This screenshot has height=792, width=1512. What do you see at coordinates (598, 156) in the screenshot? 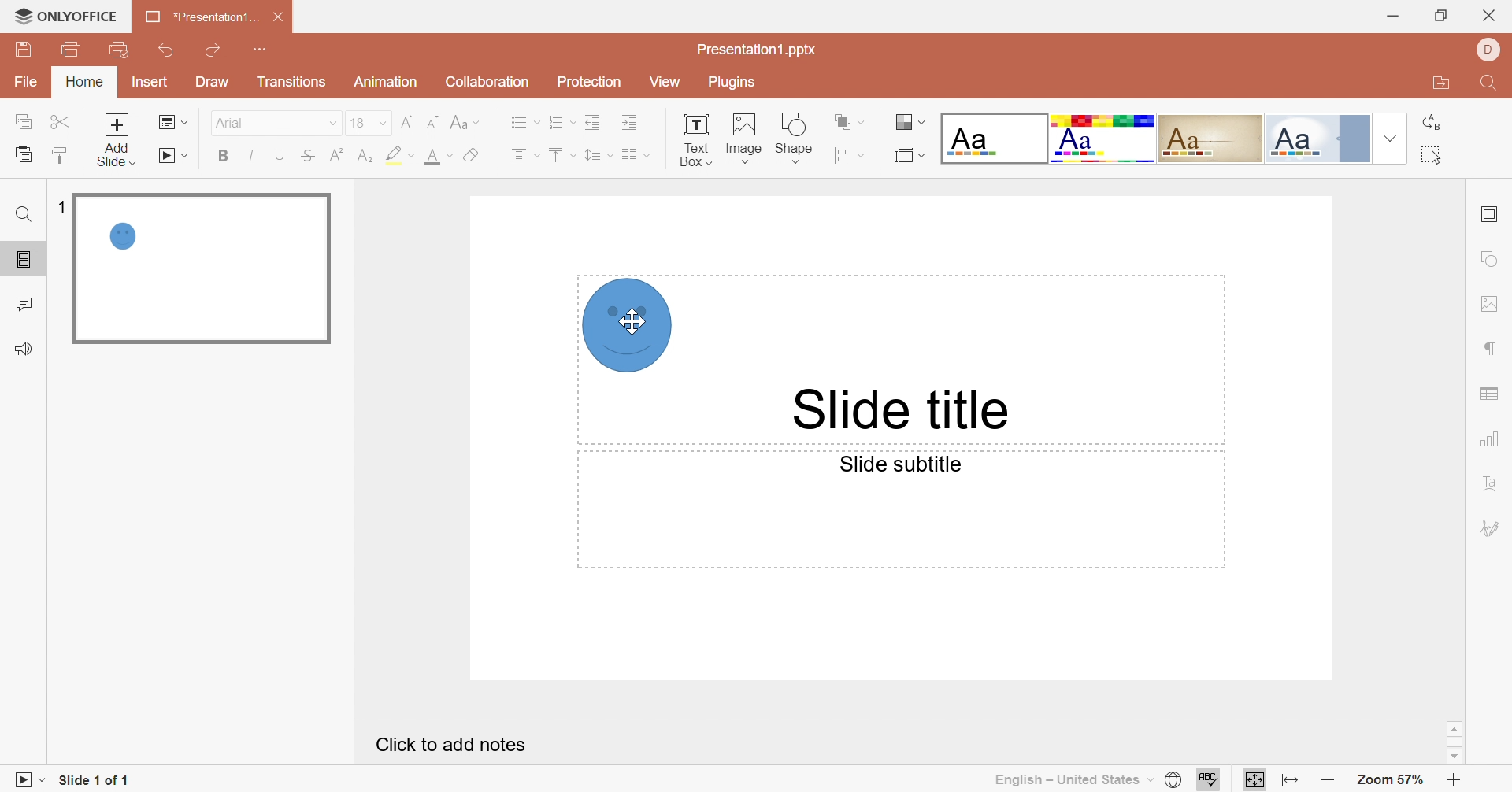
I see `Line spacing` at bounding box center [598, 156].